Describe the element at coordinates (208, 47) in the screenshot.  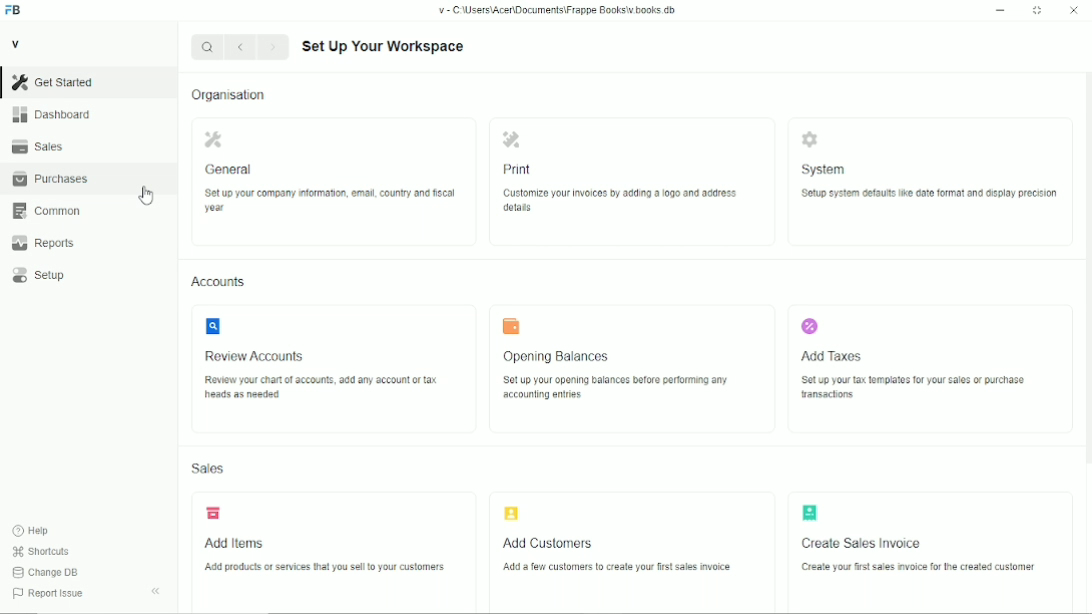
I see `Search` at that location.